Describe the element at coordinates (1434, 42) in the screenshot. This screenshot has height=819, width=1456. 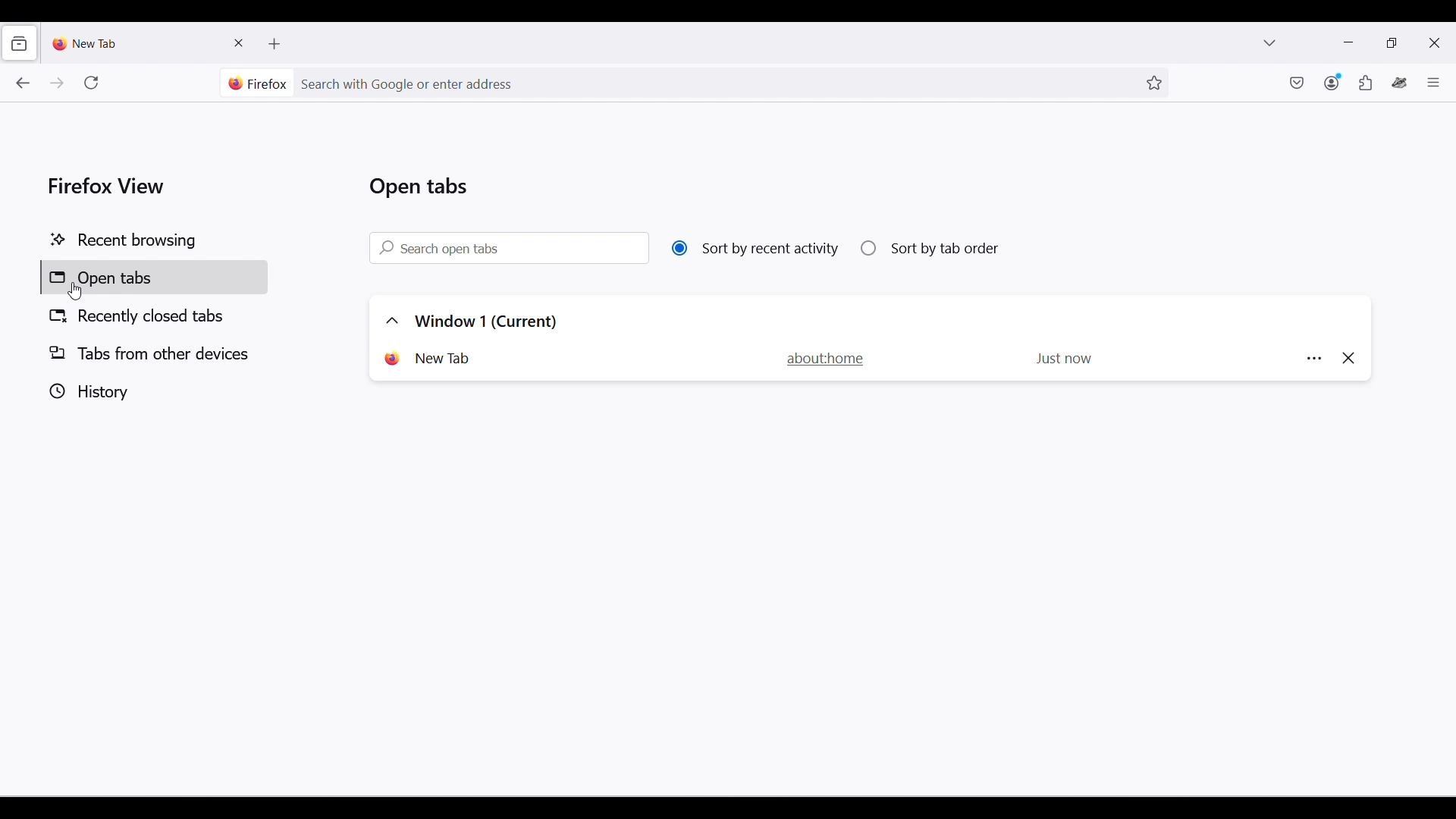
I see `Close browser` at that location.